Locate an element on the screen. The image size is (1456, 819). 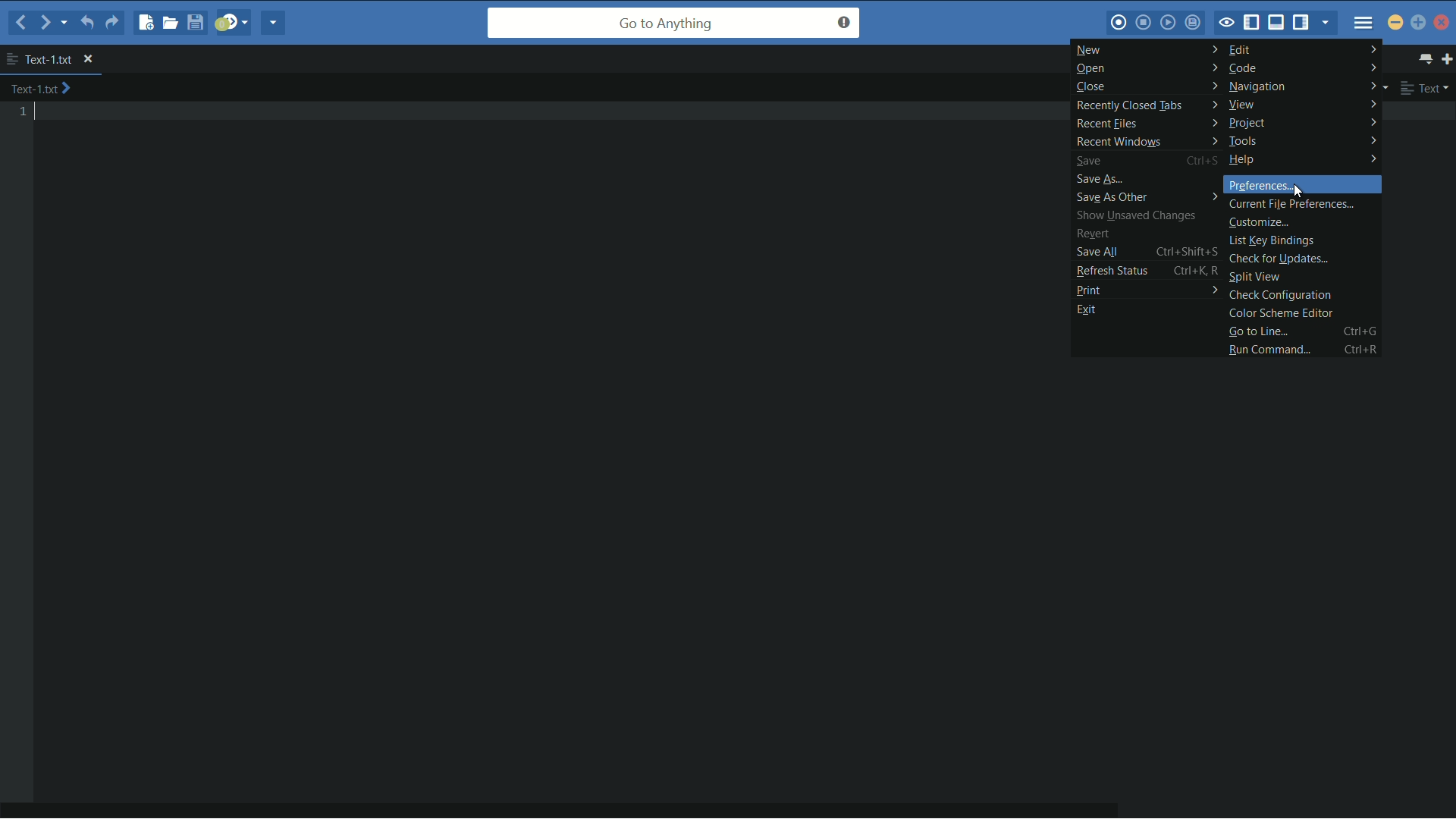
cursor is located at coordinates (1303, 189).